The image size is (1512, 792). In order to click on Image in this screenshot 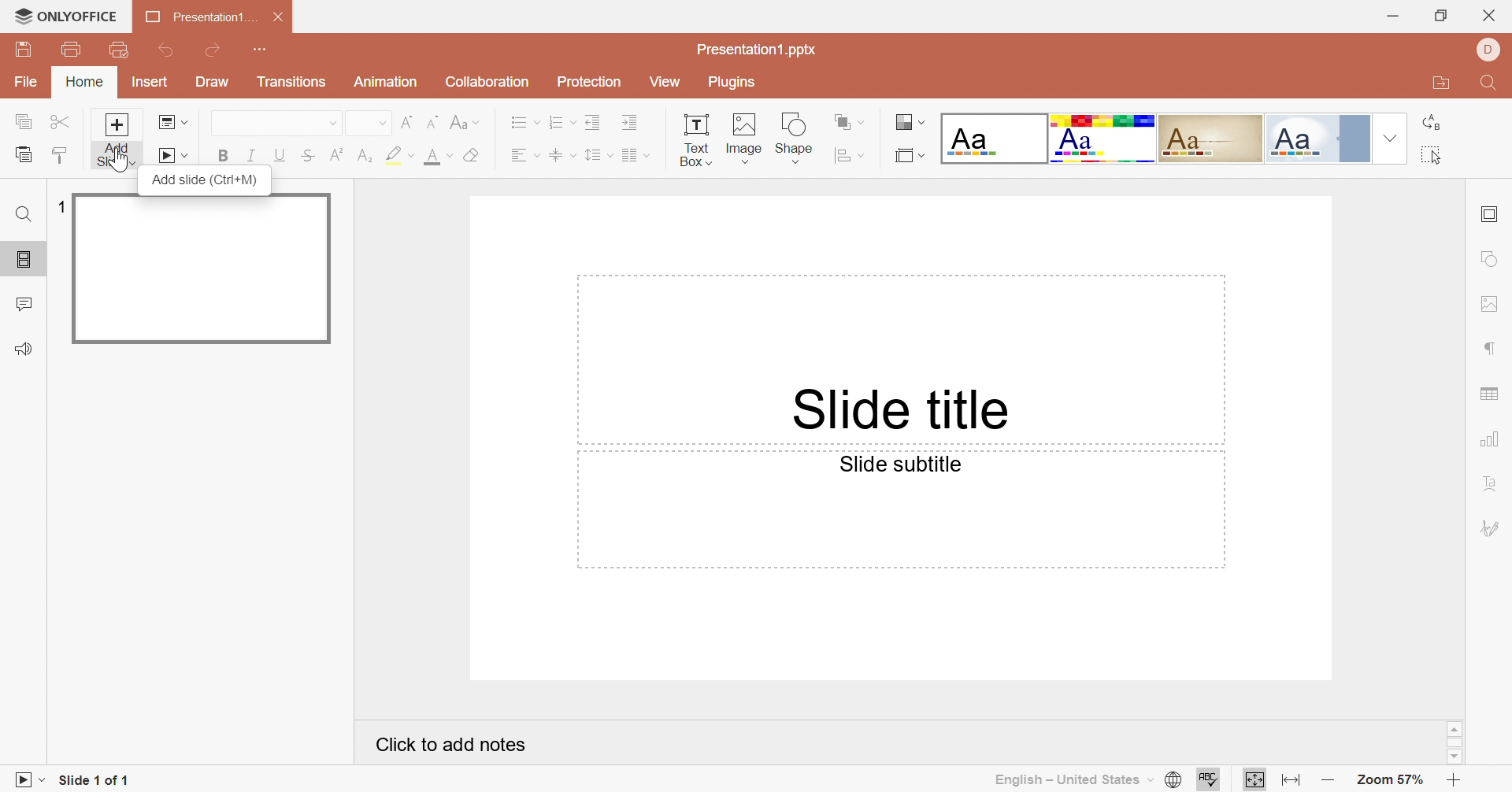, I will do `click(746, 135)`.